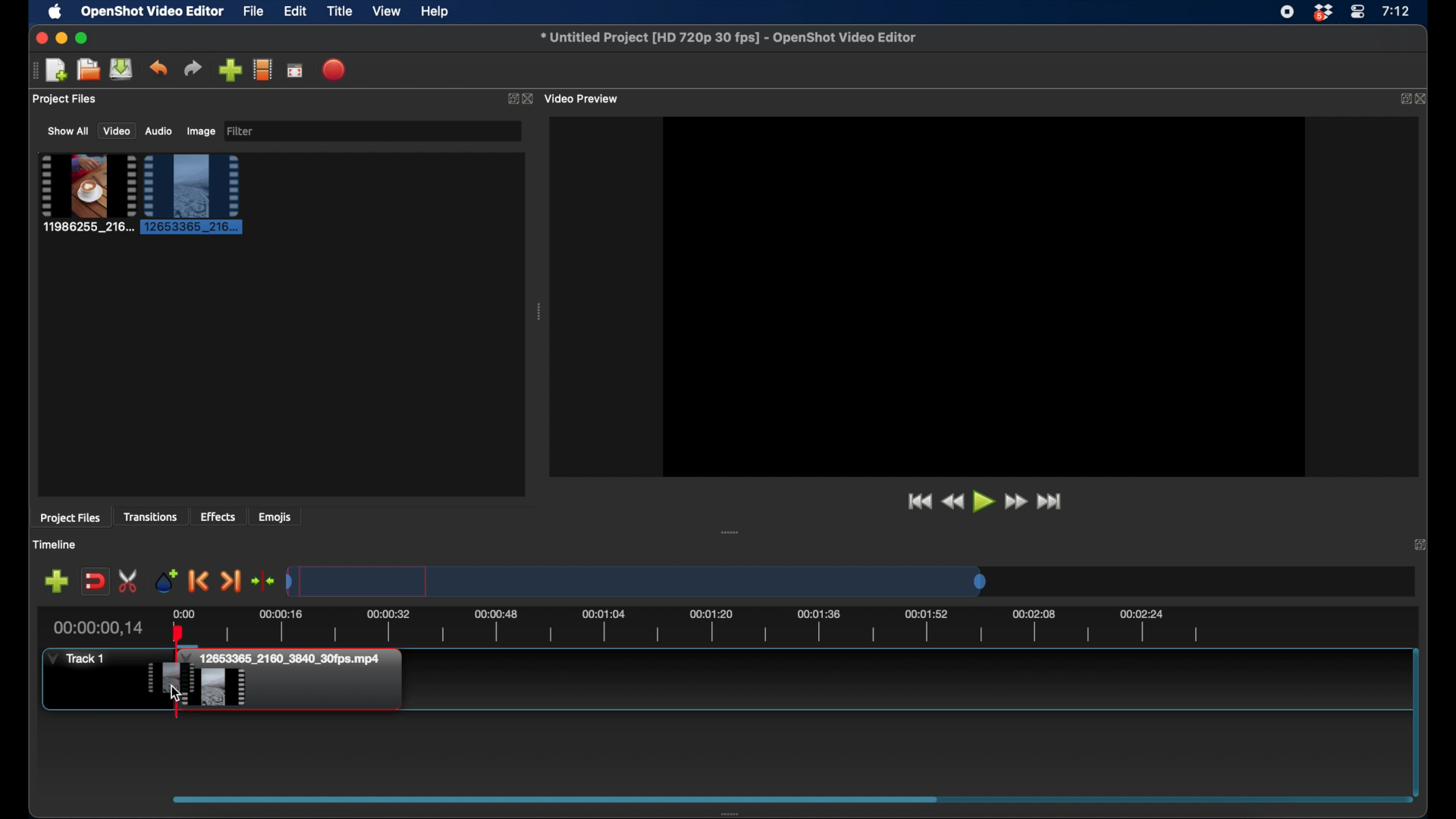 This screenshot has height=819, width=1456. I want to click on Preview of file being dragged by cursor, so click(169, 677).